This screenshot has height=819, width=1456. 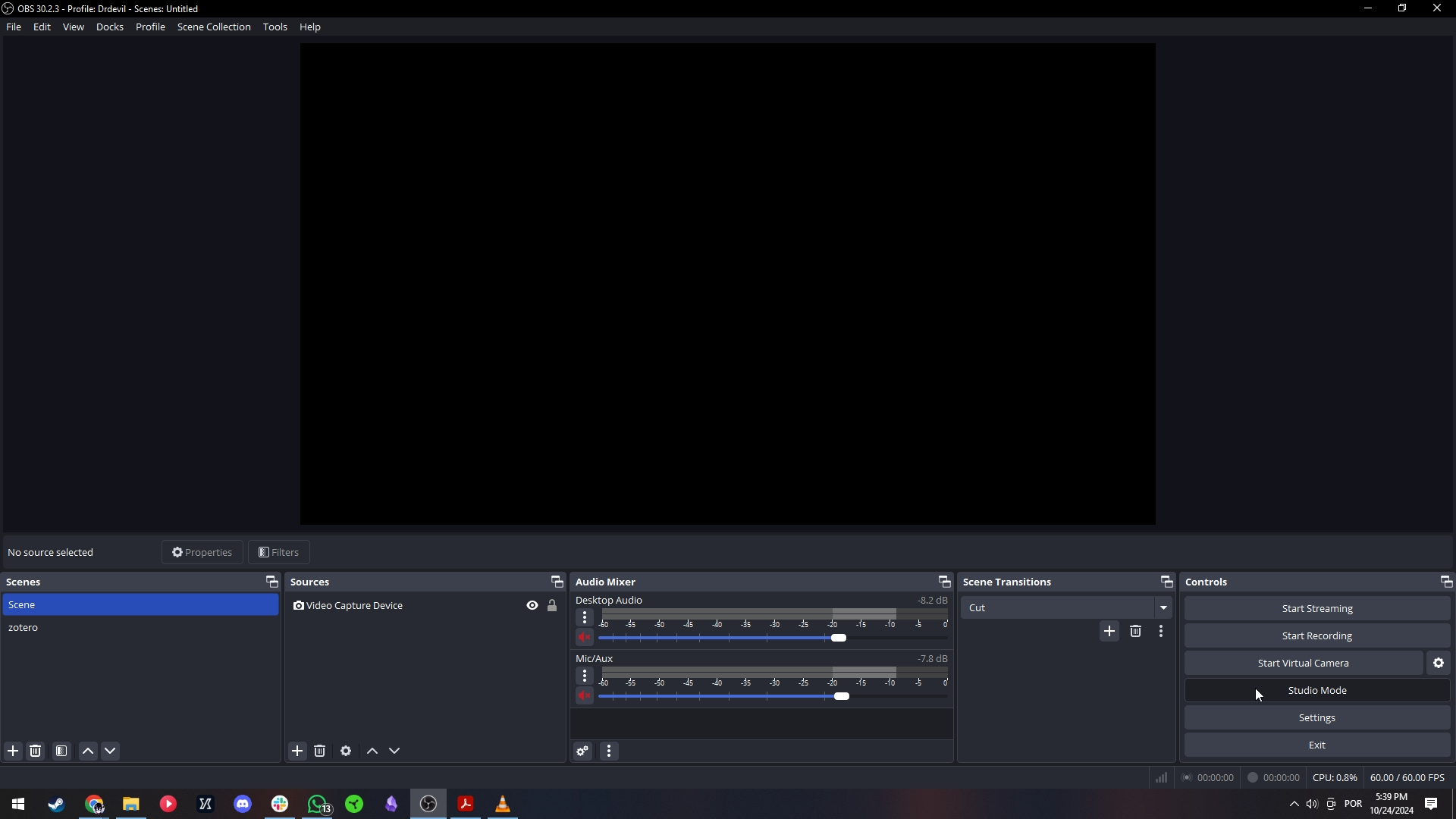 I want to click on meet, so click(x=1332, y=805).